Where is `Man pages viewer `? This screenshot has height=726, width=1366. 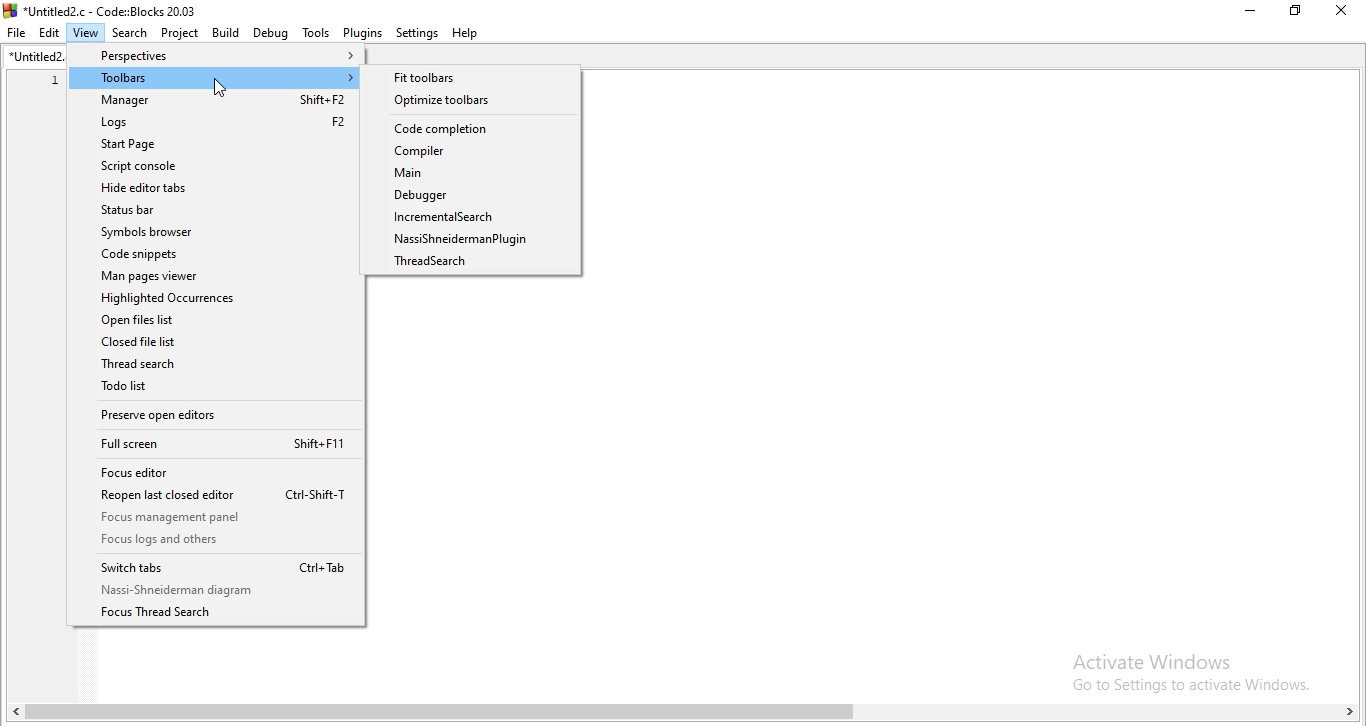 Man pages viewer  is located at coordinates (211, 278).